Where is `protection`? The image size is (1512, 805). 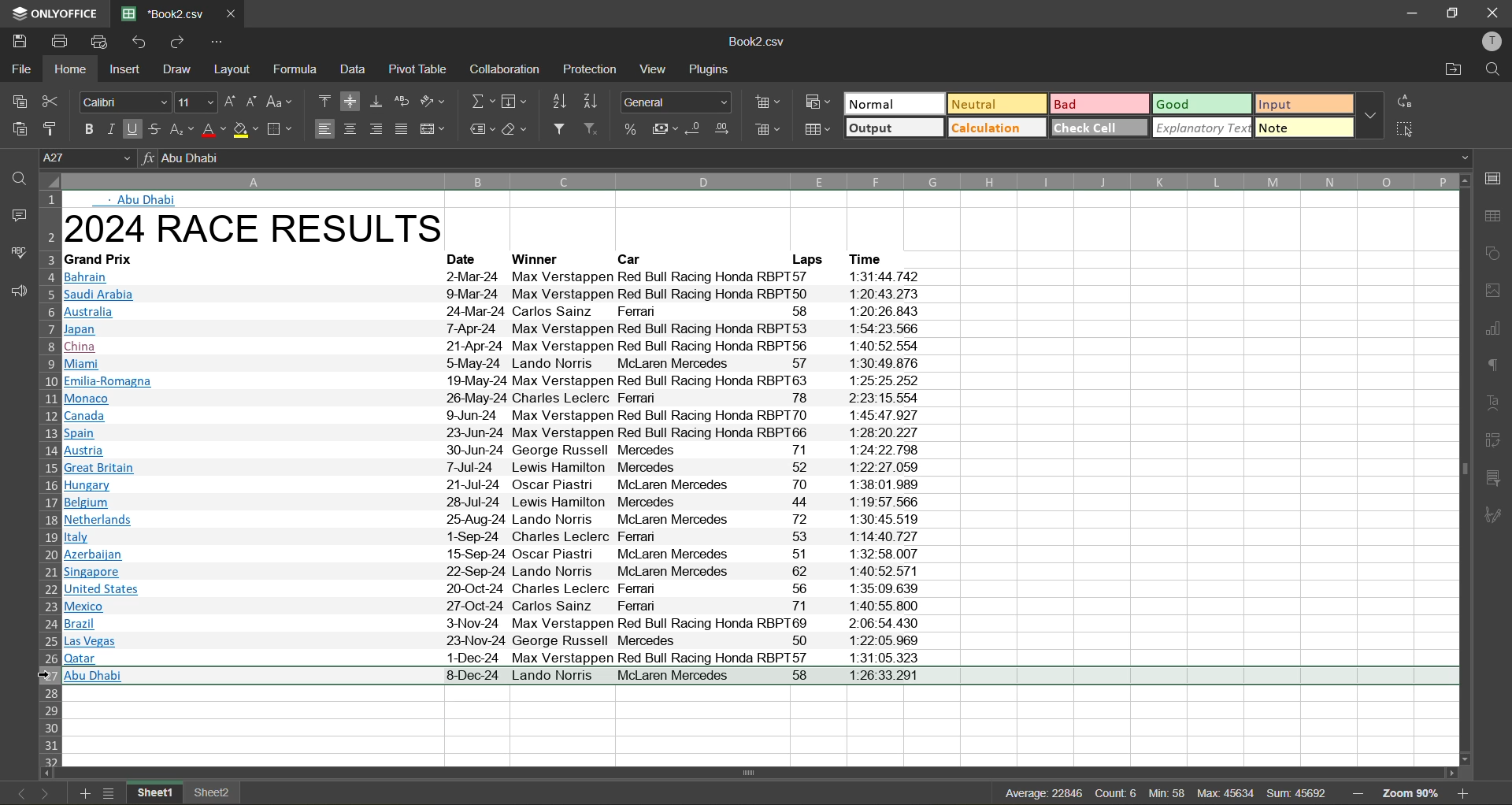 protection is located at coordinates (591, 69).